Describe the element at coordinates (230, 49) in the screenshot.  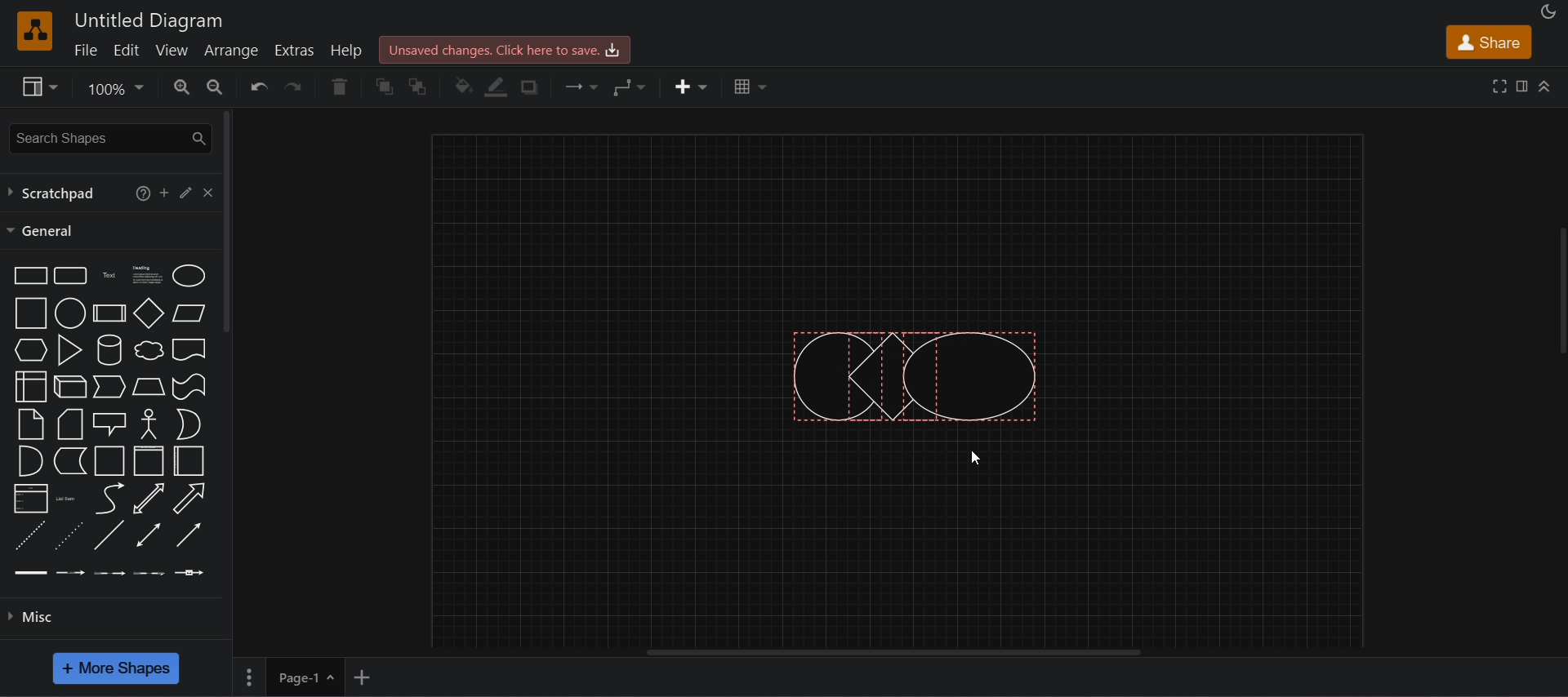
I see `arrangw` at that location.